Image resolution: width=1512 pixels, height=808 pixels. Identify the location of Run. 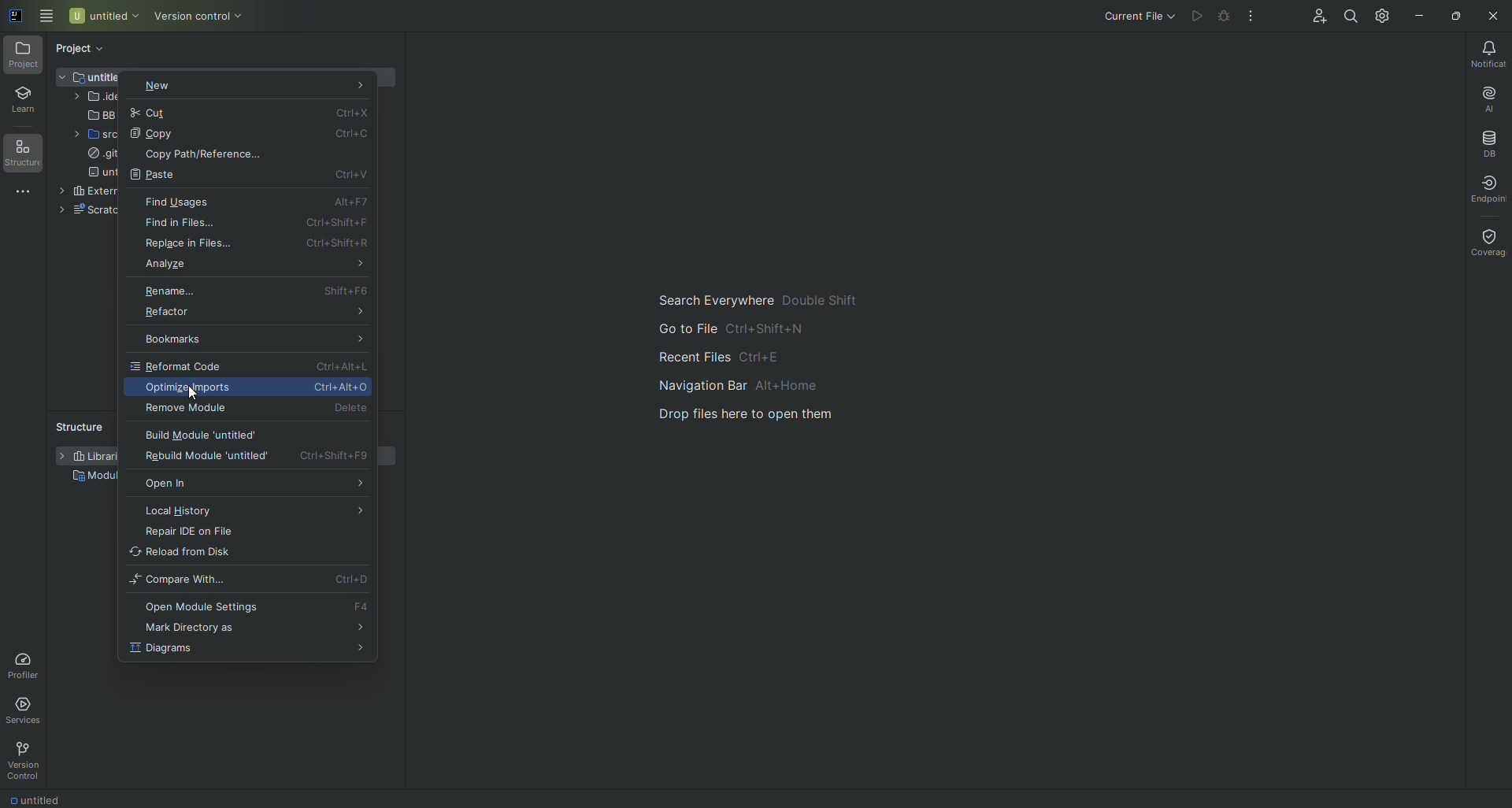
(1194, 17).